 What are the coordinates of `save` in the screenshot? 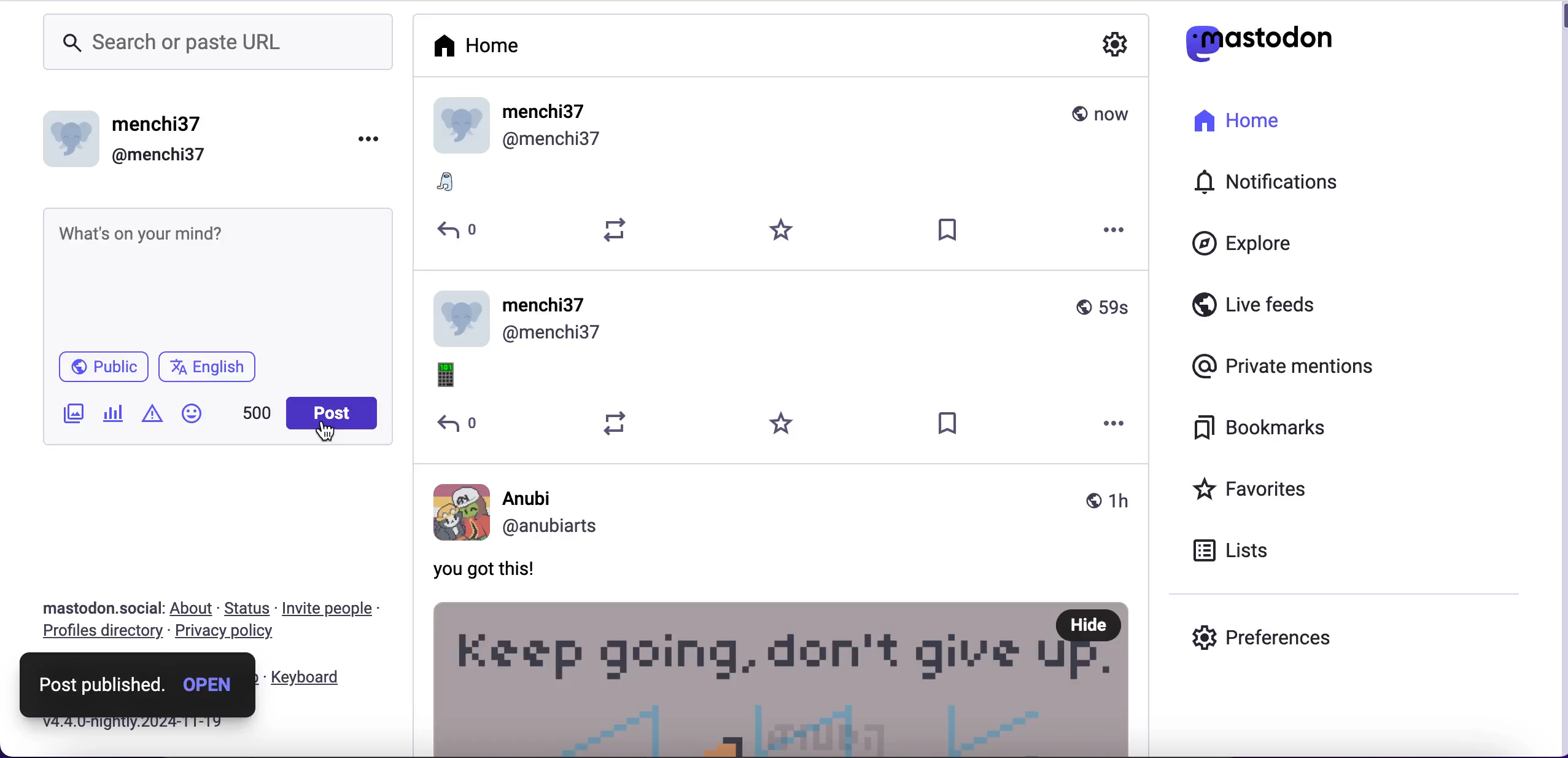 It's located at (949, 231).